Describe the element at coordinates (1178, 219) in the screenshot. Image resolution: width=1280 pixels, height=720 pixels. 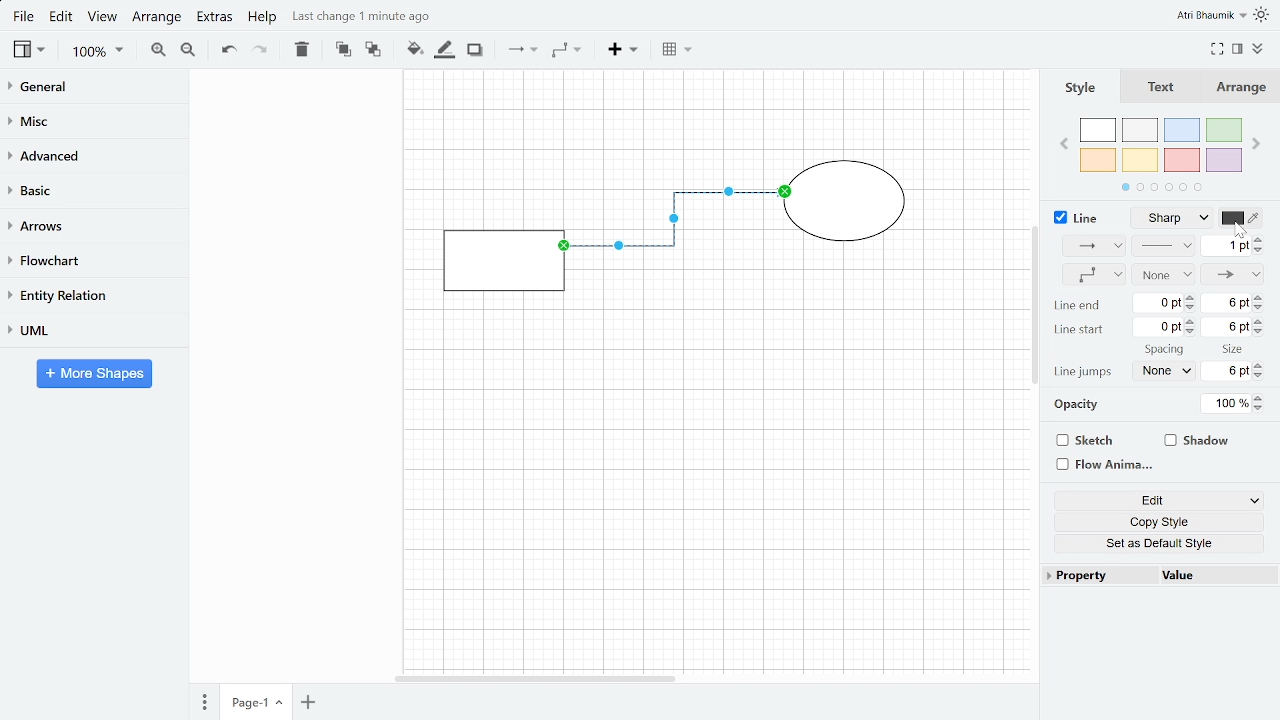
I see `Line style` at that location.